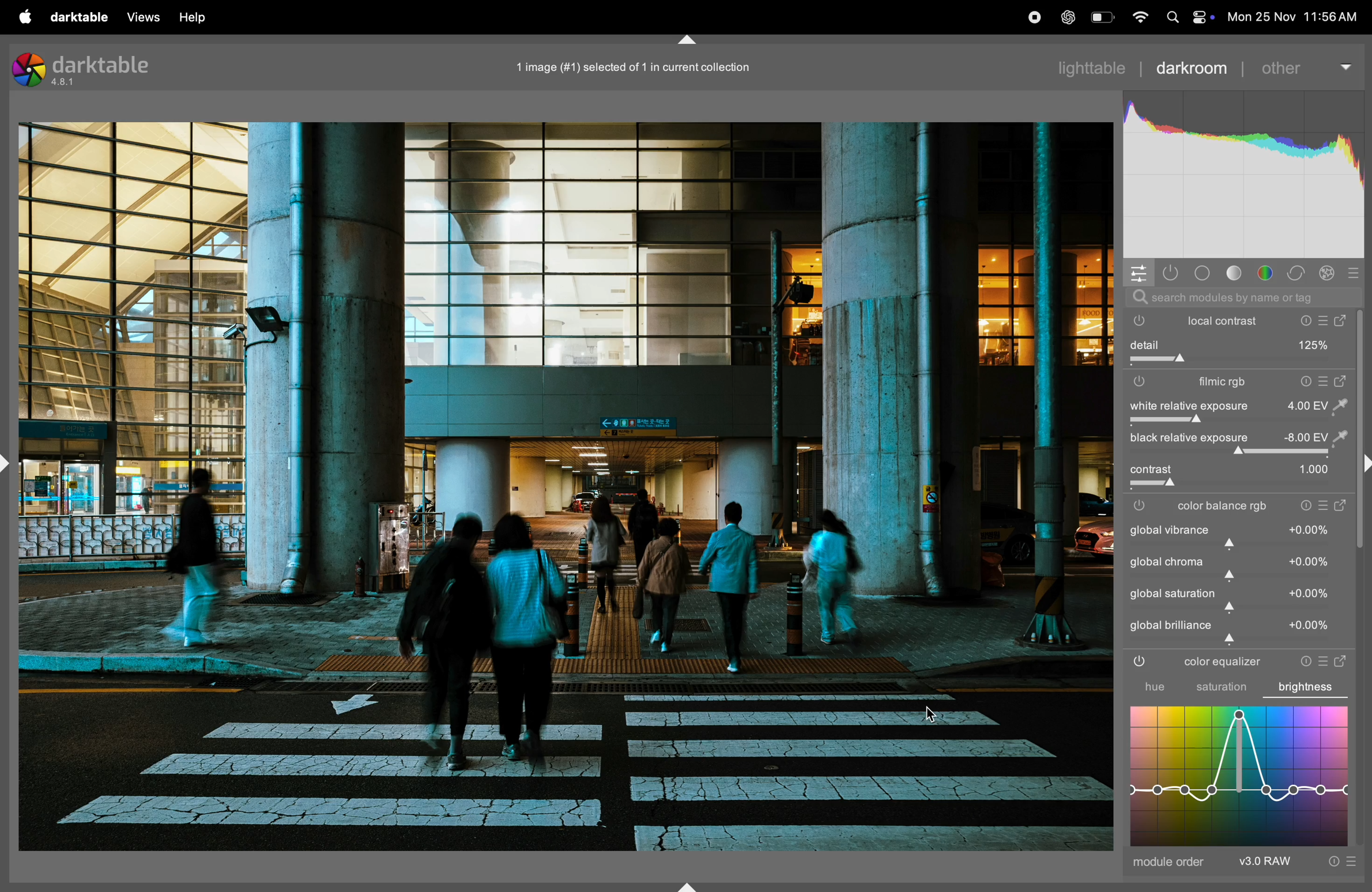 This screenshot has height=892, width=1372. I want to click on detail, so click(1238, 344).